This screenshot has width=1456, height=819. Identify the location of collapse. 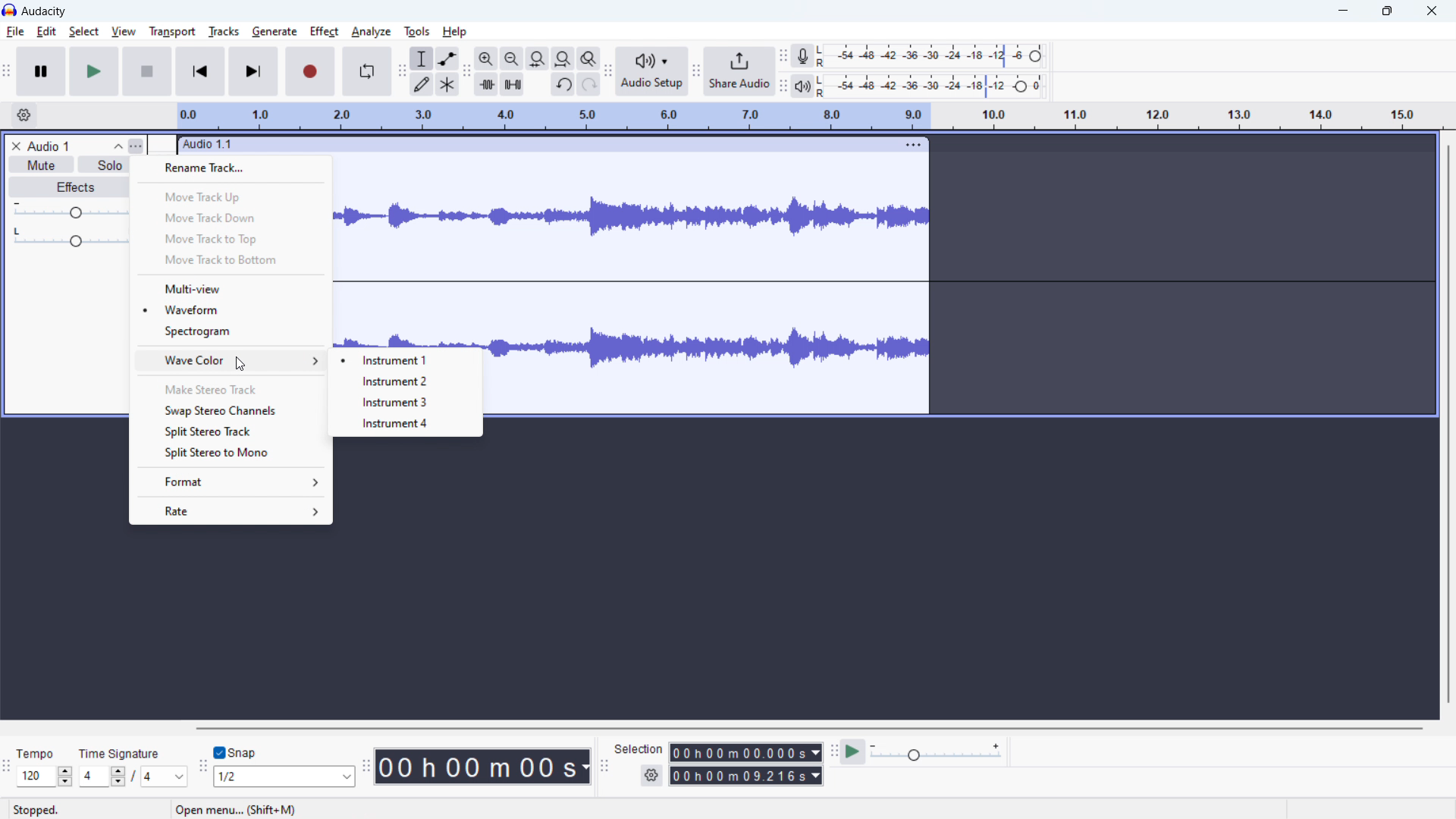
(118, 146).